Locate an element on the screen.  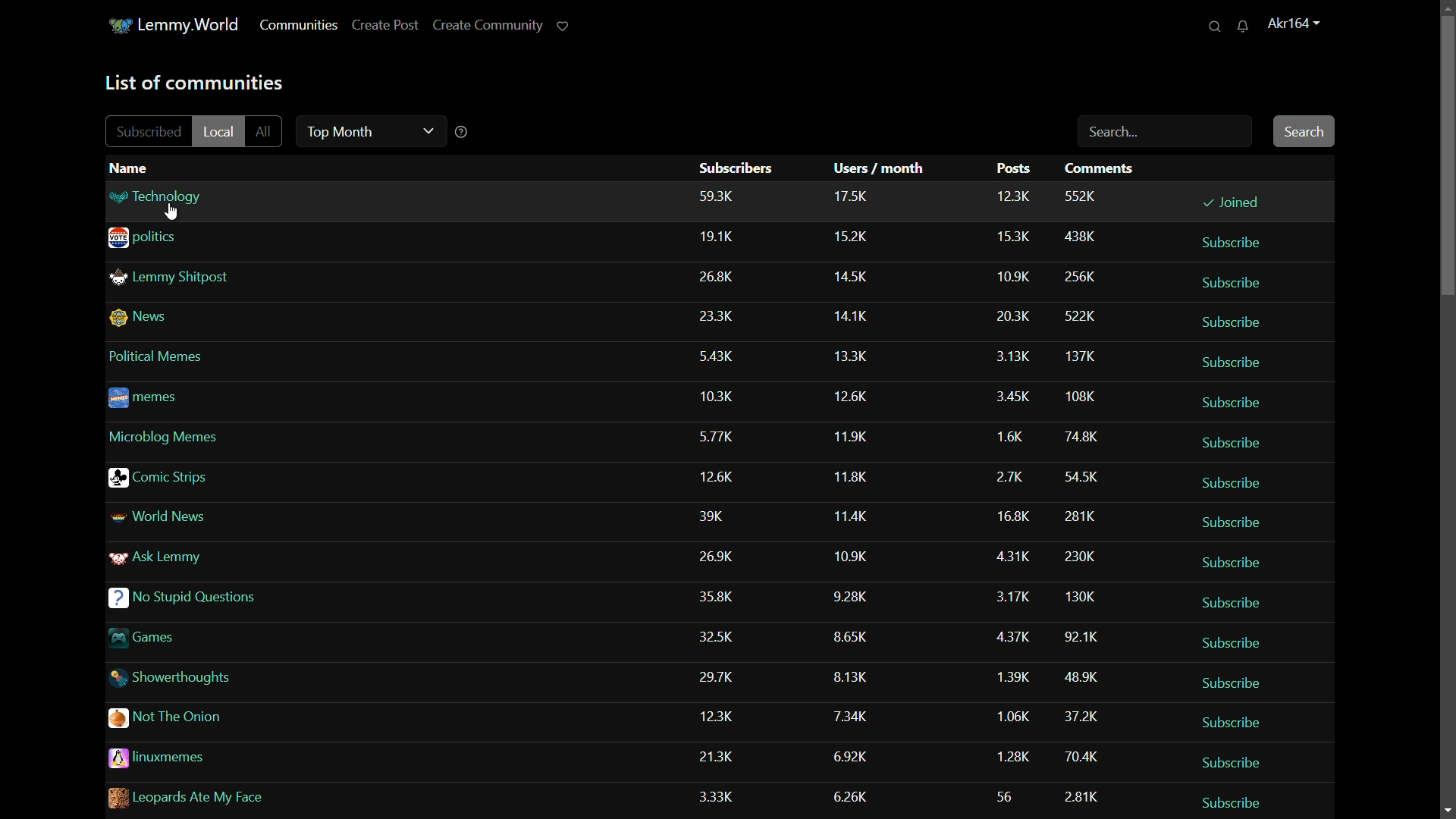
create community is located at coordinates (490, 27).